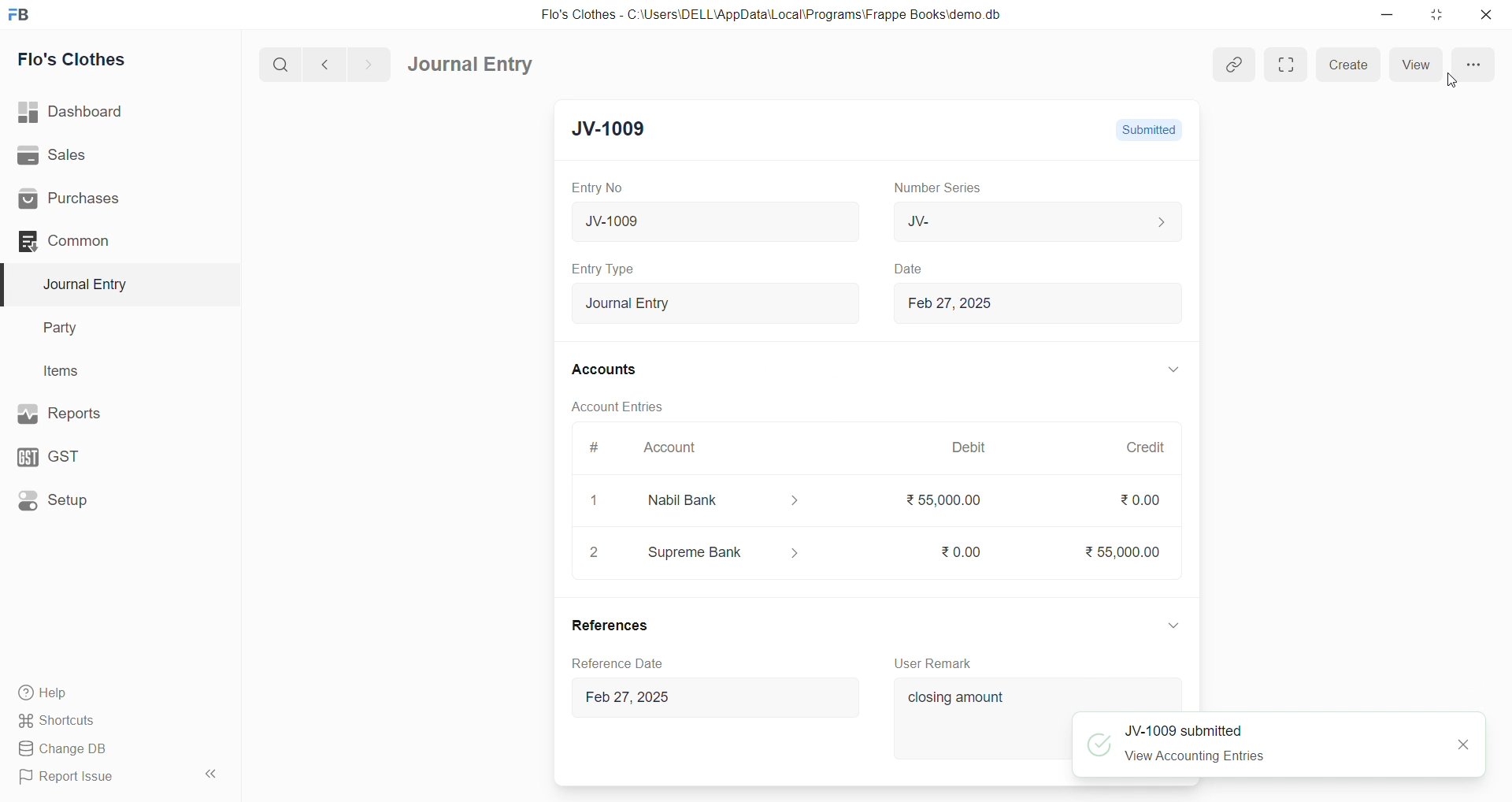 The height and width of the screenshot is (802, 1512). I want to click on Feb 27, 2025, so click(1028, 303).